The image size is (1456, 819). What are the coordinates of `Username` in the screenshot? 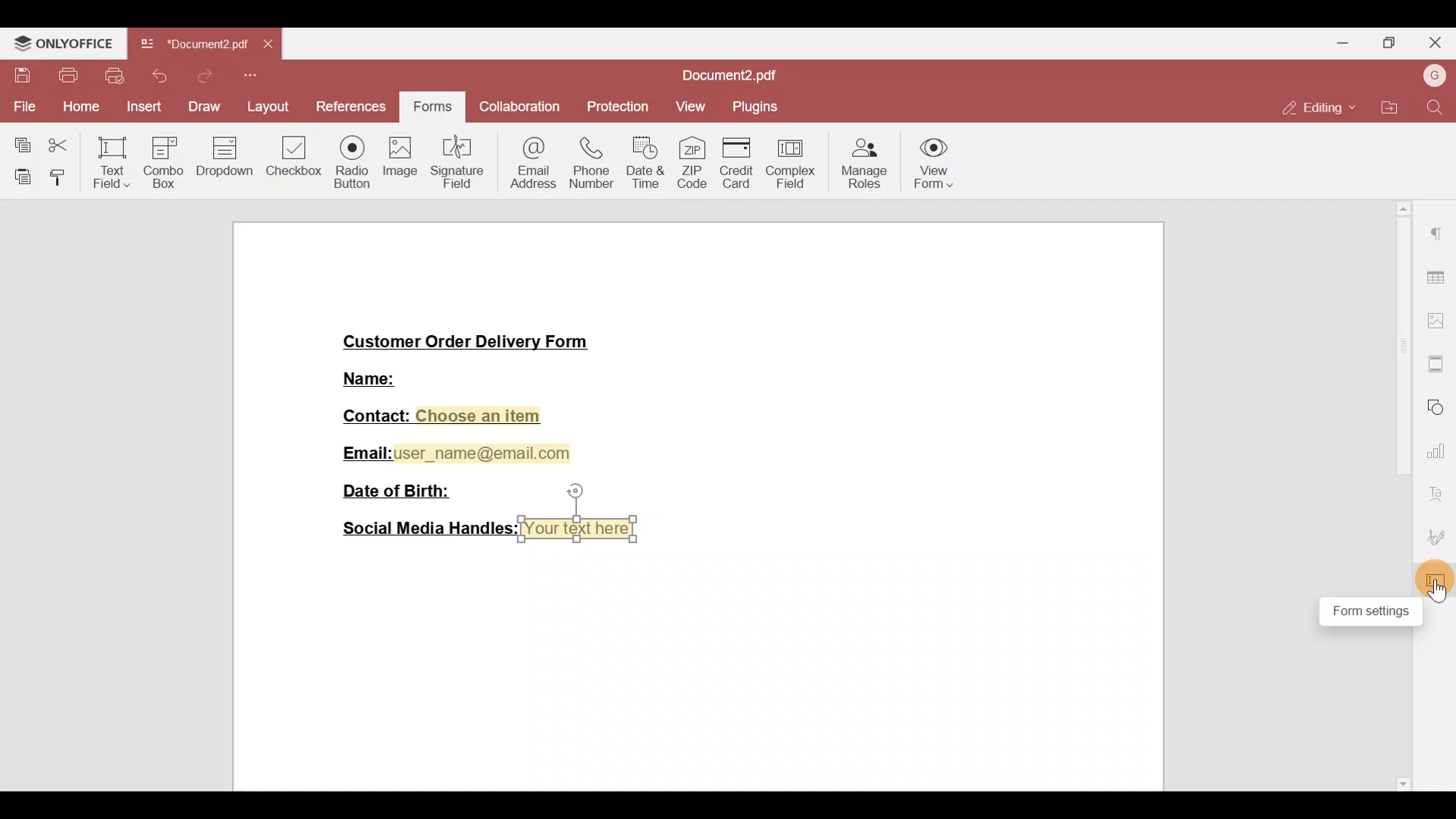 It's located at (1432, 77).